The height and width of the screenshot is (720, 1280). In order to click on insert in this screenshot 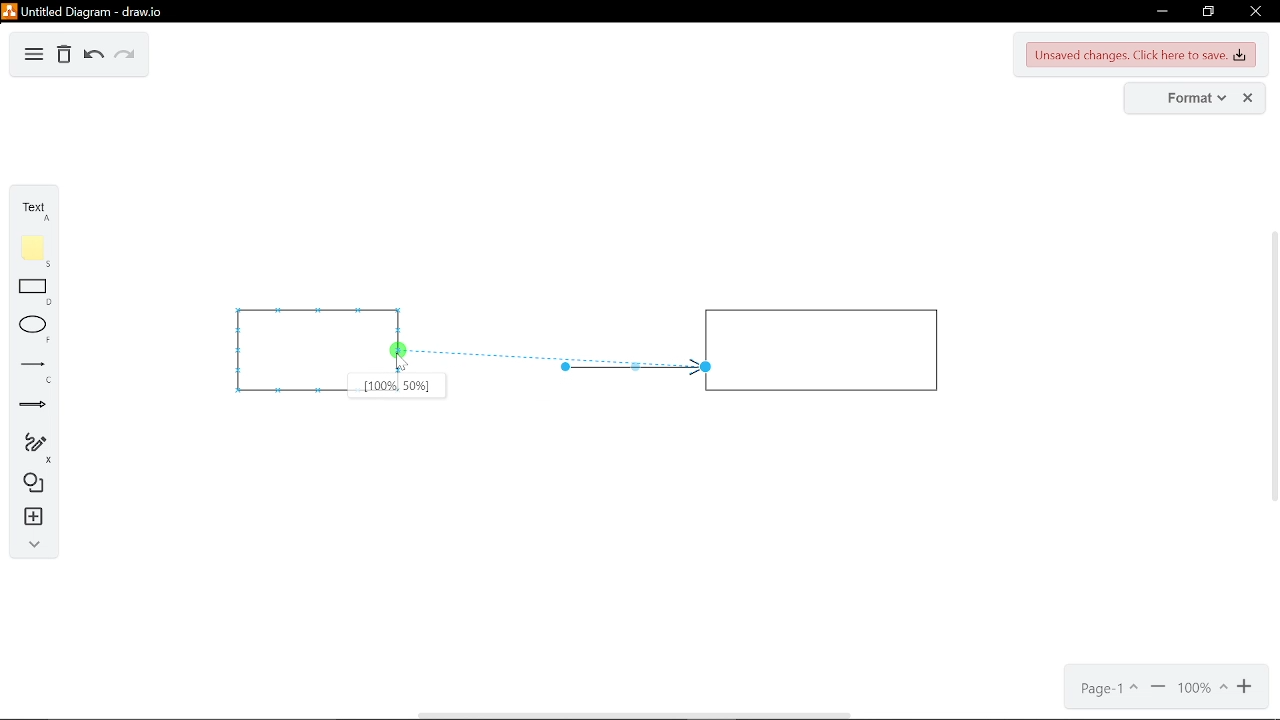, I will do `click(32, 517)`.